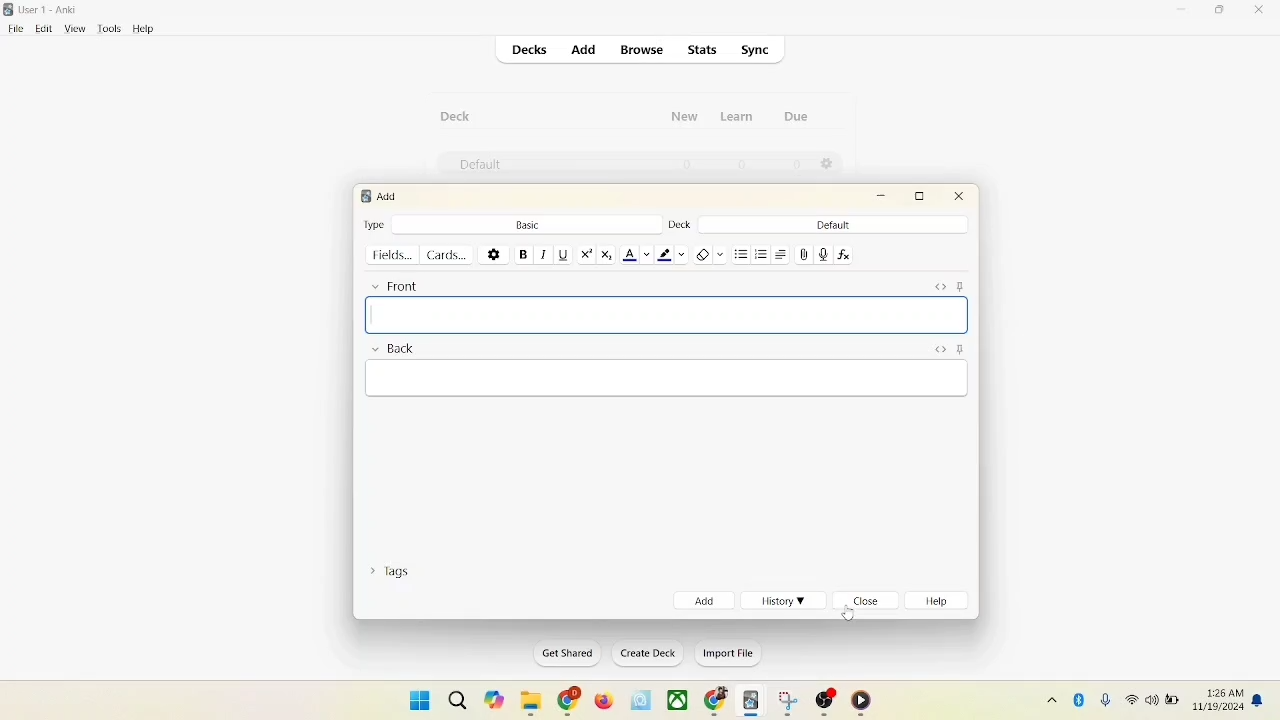 The width and height of the screenshot is (1280, 720). What do you see at coordinates (666, 316) in the screenshot?
I see `ROYGBIV` at bounding box center [666, 316].